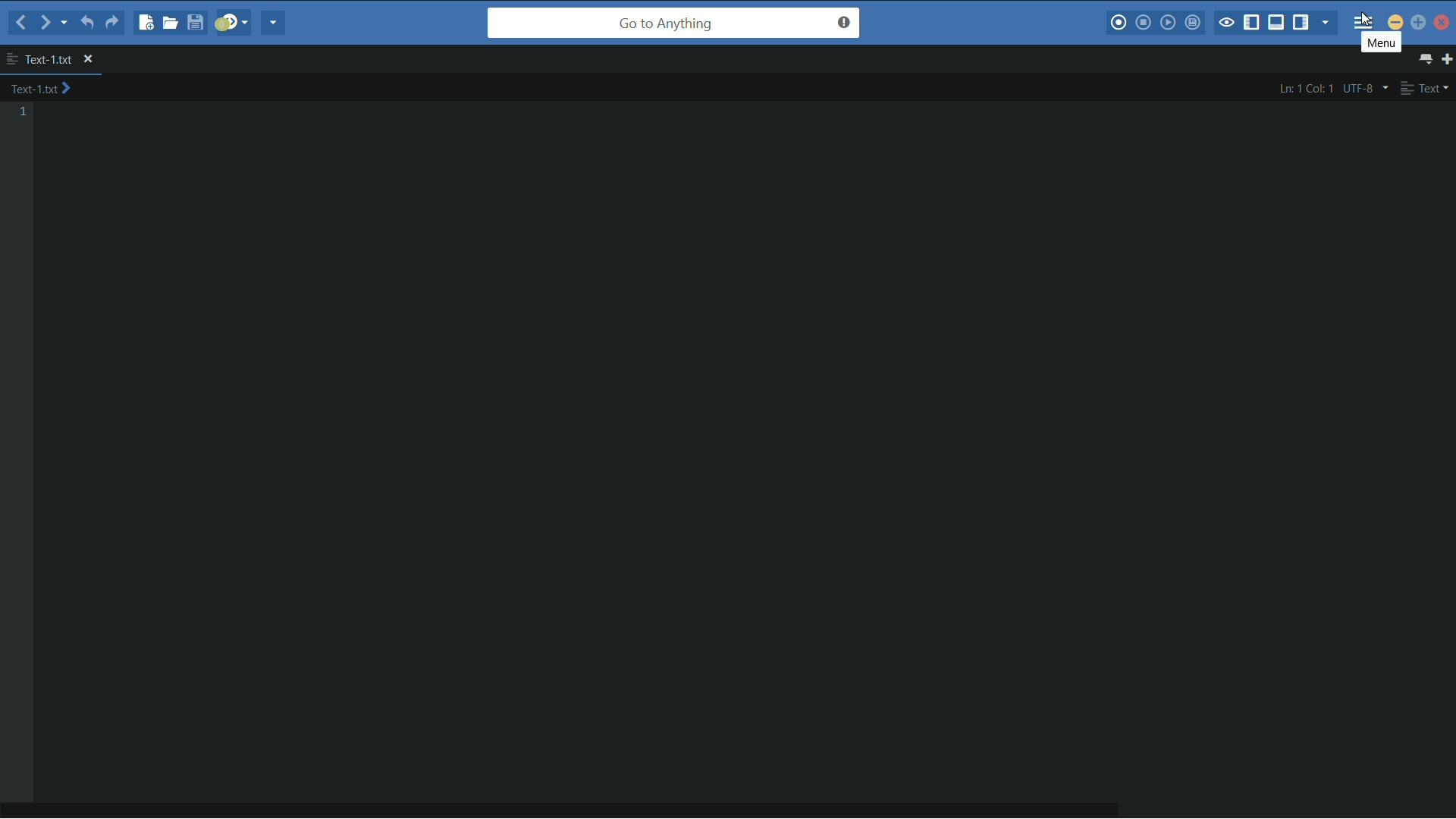  What do you see at coordinates (1252, 24) in the screenshot?
I see `show/hide left panel` at bounding box center [1252, 24].